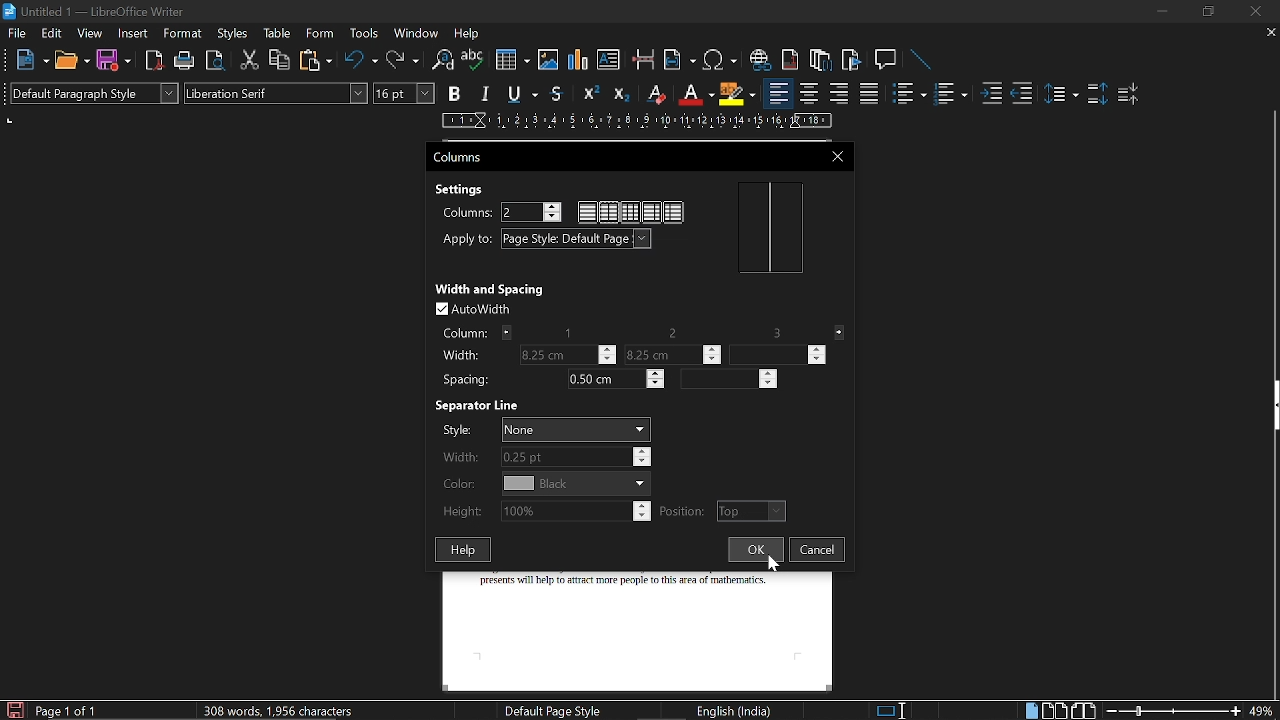 This screenshot has width=1280, height=720. Describe the element at coordinates (909, 94) in the screenshot. I see `Toggle unordered list` at that location.